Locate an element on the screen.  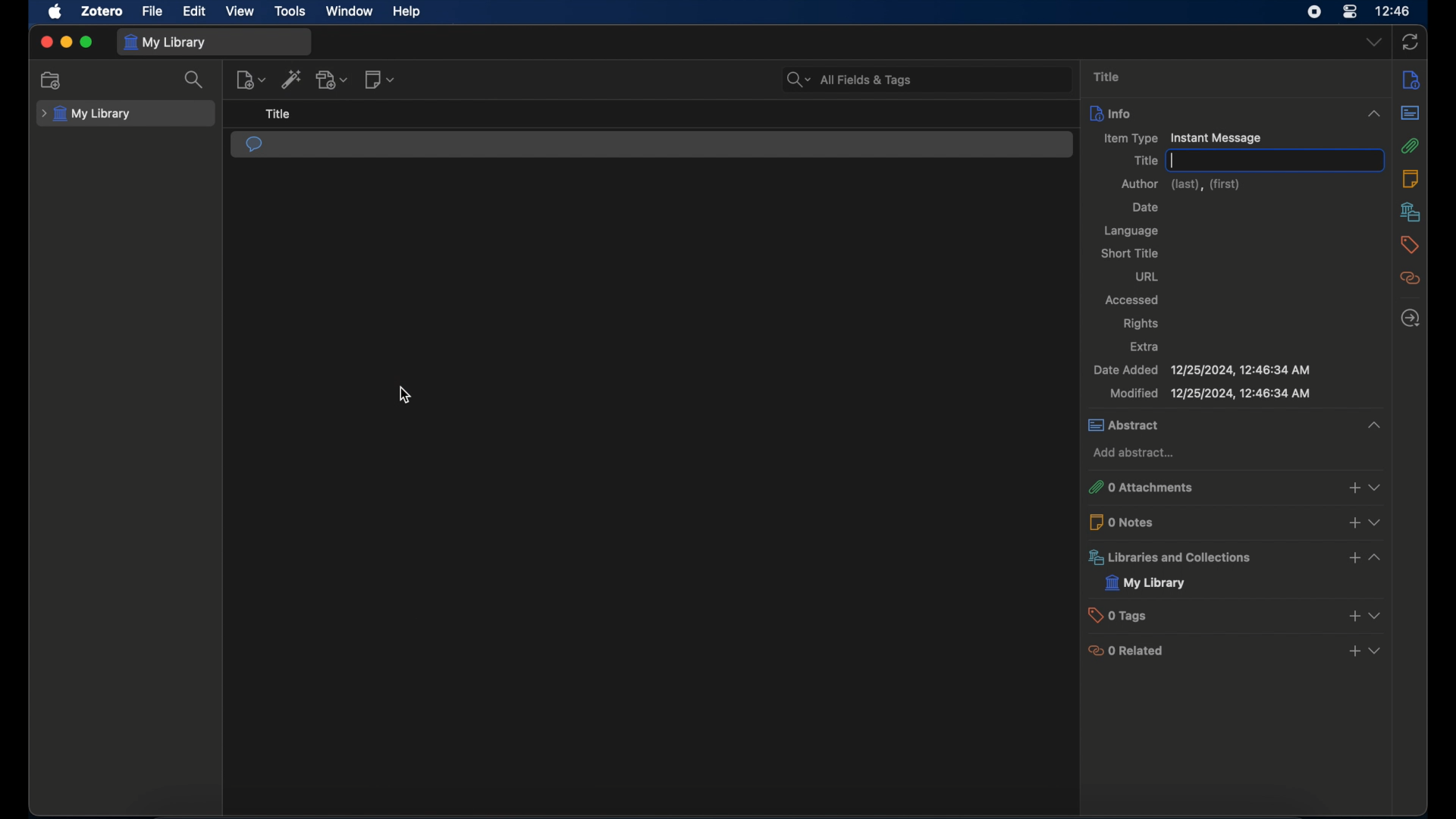
libraries and collections is located at coordinates (1233, 557).